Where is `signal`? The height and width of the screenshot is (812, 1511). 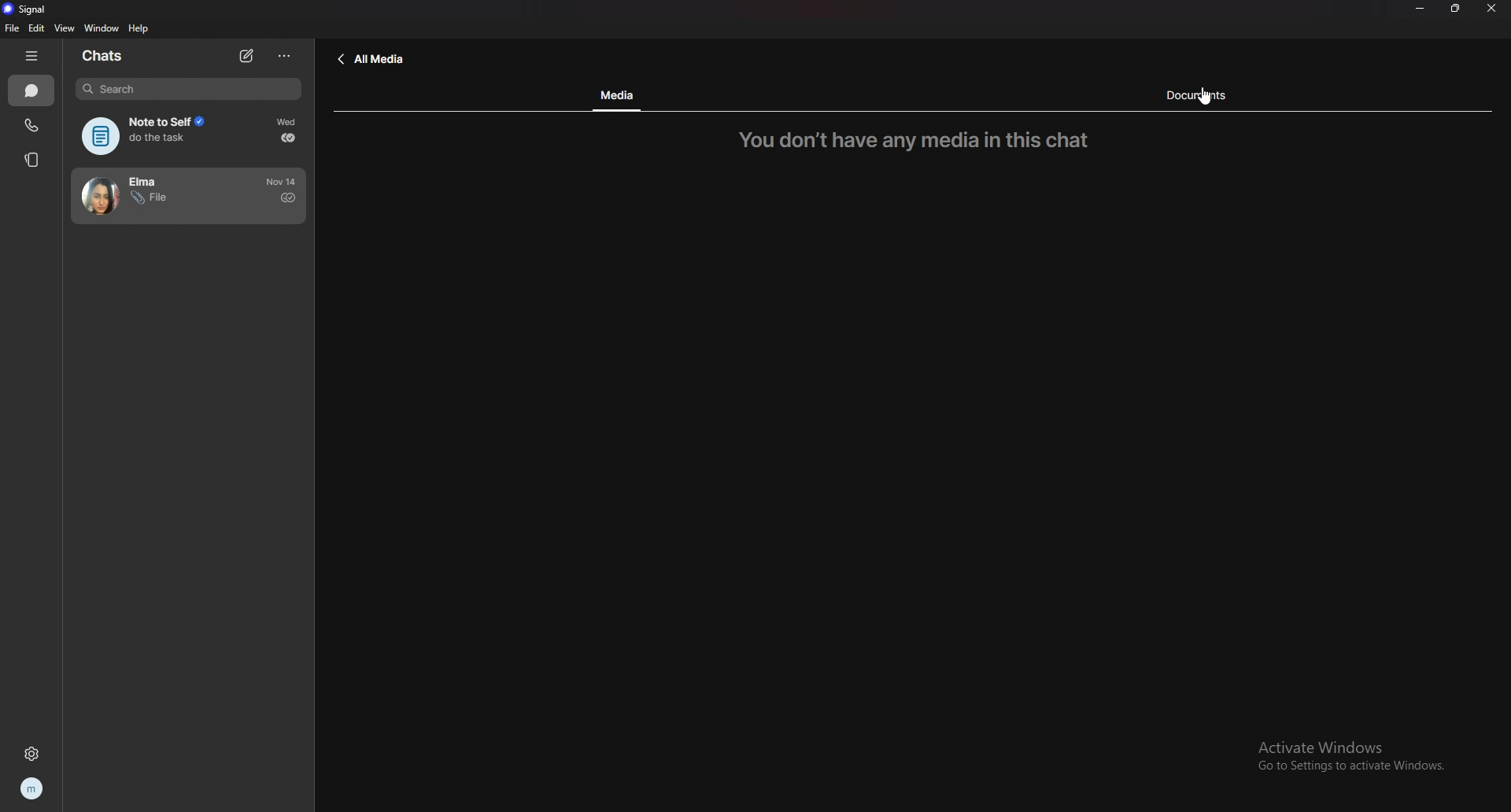
signal is located at coordinates (33, 8).